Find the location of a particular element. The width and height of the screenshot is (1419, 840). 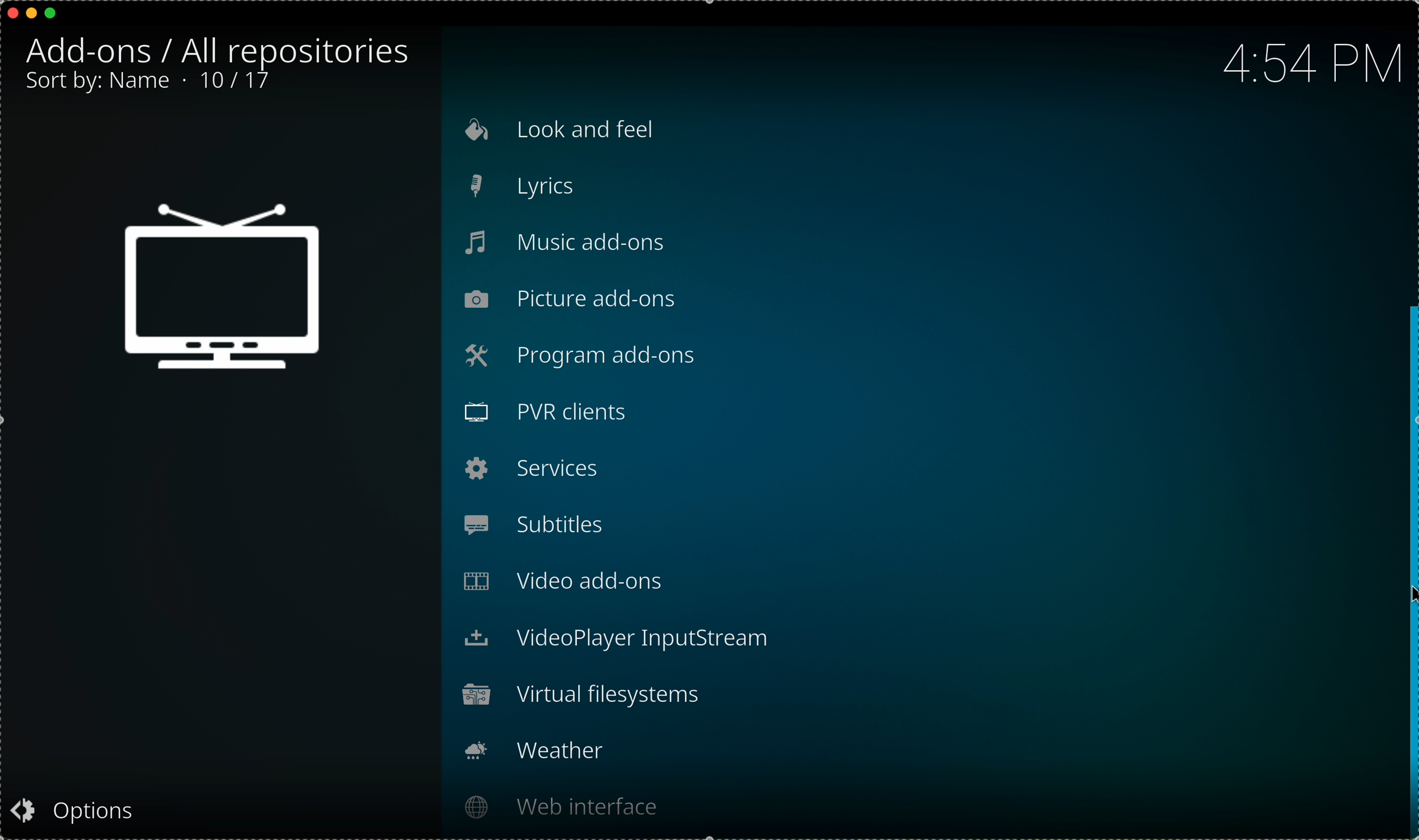

videoplayer input stream is located at coordinates (622, 639).